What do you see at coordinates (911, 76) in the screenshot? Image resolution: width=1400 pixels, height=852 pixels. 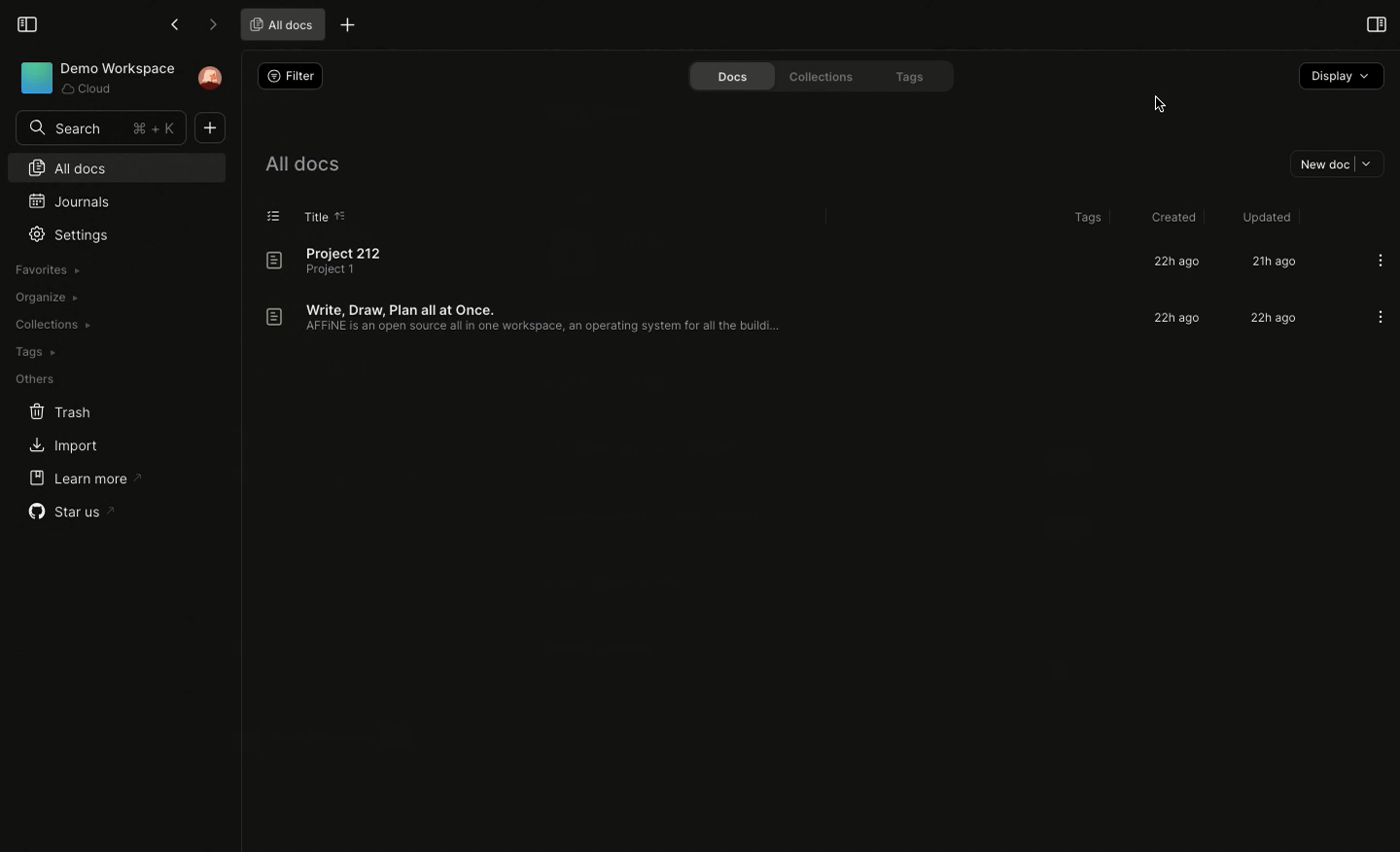 I see `Tags` at bounding box center [911, 76].